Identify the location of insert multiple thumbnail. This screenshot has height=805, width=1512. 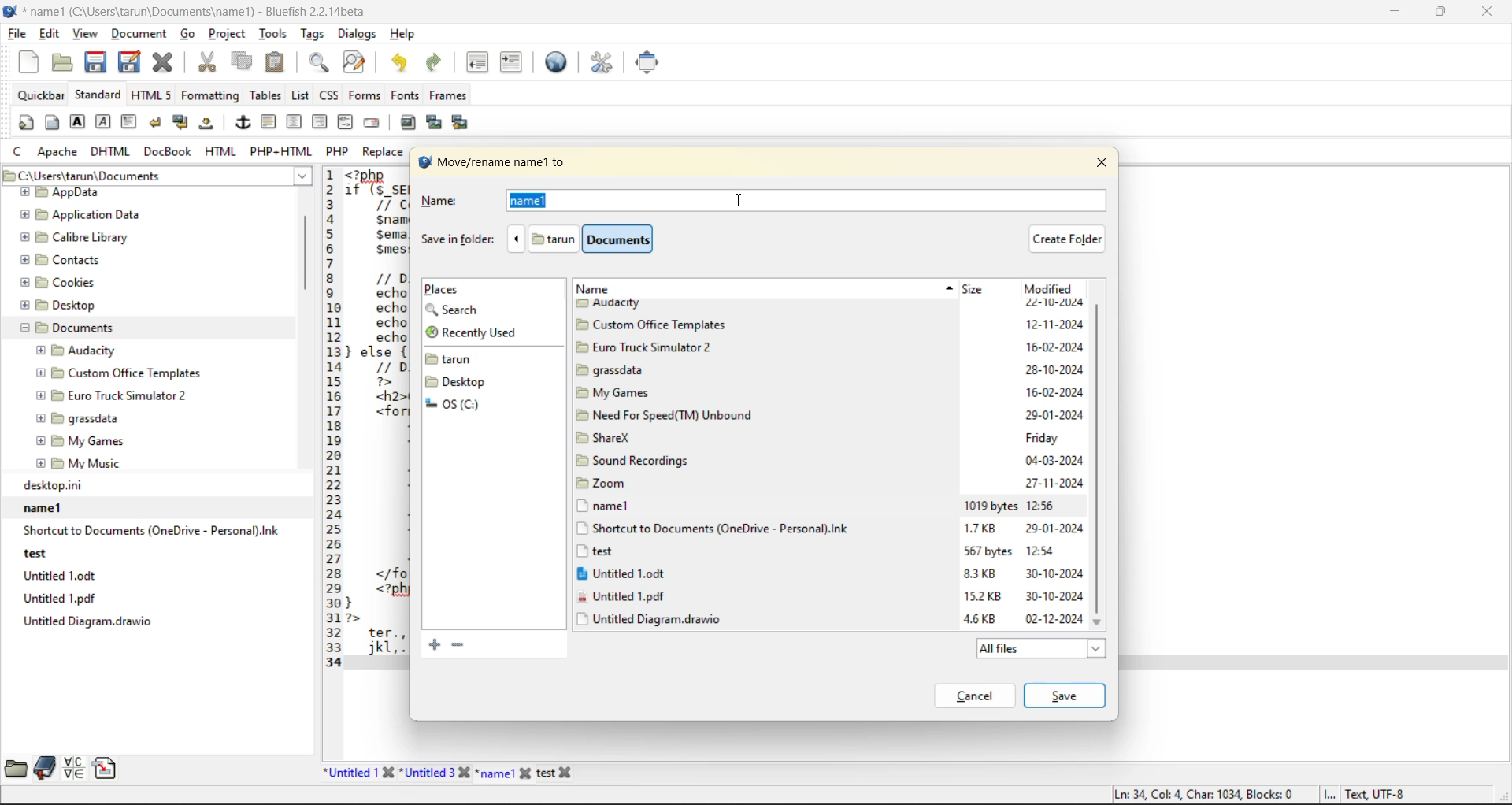
(458, 123).